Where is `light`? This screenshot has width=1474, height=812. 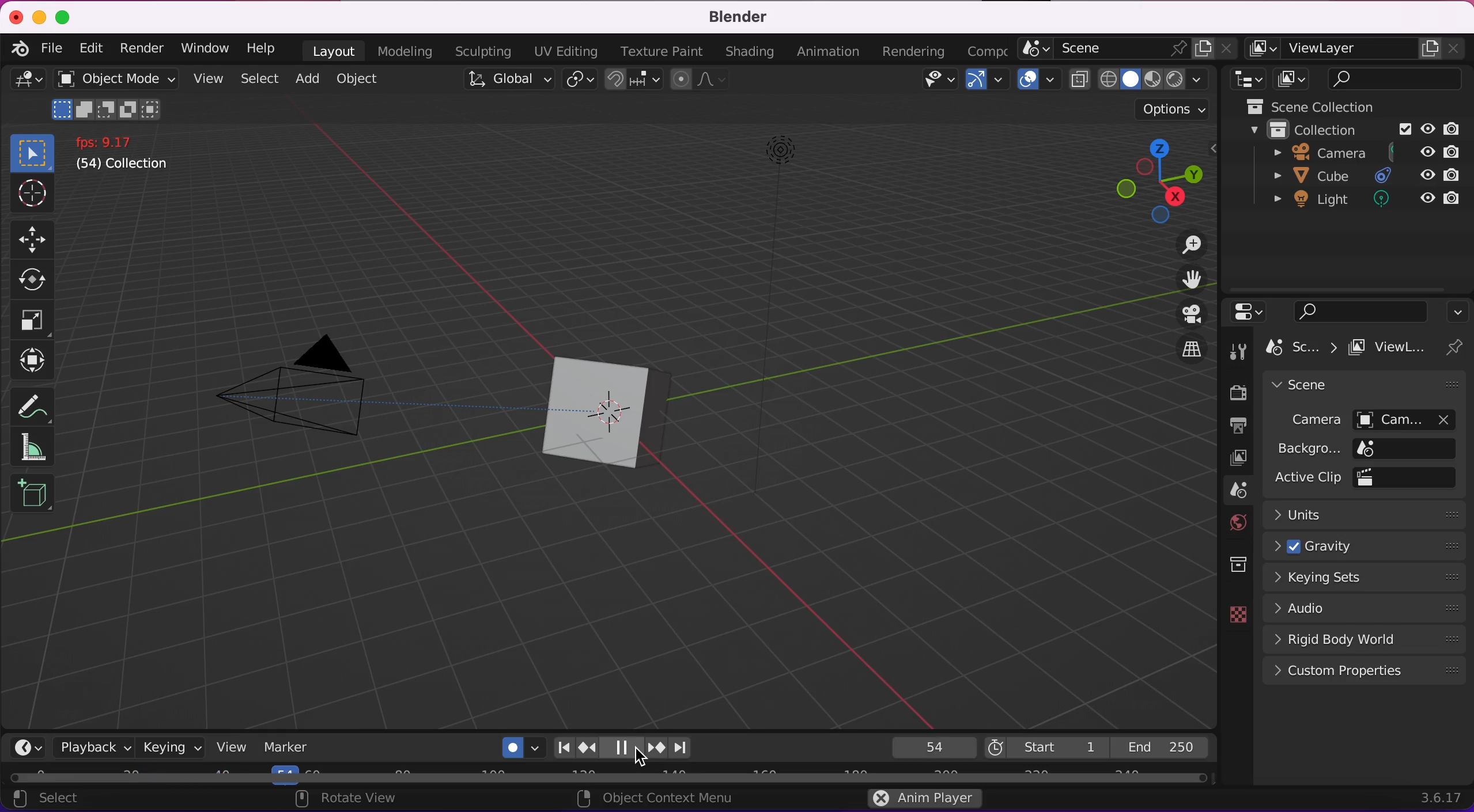
light is located at coordinates (1354, 204).